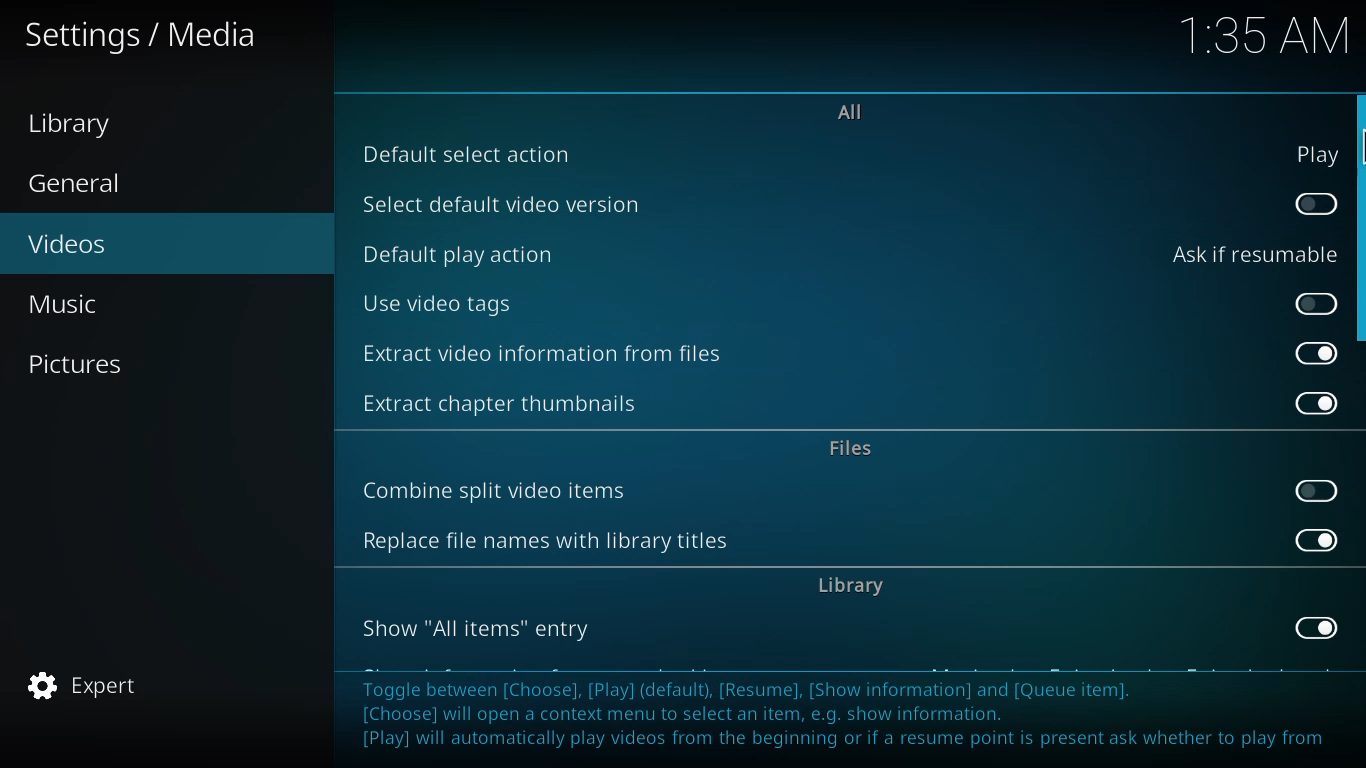 Image resolution: width=1366 pixels, height=768 pixels. I want to click on enable, so click(1316, 306).